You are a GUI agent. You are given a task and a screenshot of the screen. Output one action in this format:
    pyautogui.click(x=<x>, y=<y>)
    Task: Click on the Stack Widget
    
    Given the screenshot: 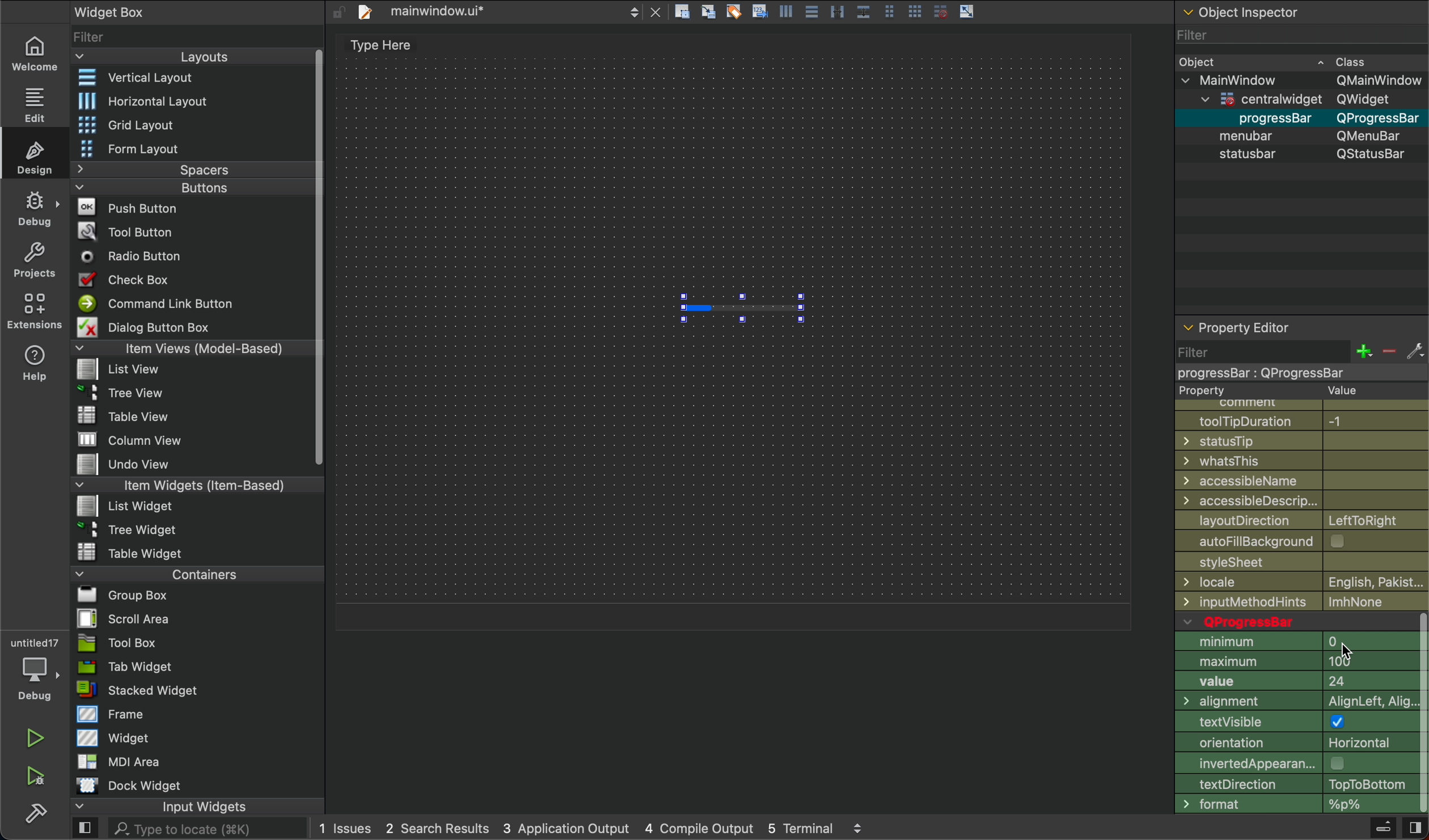 What is the action you would take?
    pyautogui.click(x=177, y=690)
    